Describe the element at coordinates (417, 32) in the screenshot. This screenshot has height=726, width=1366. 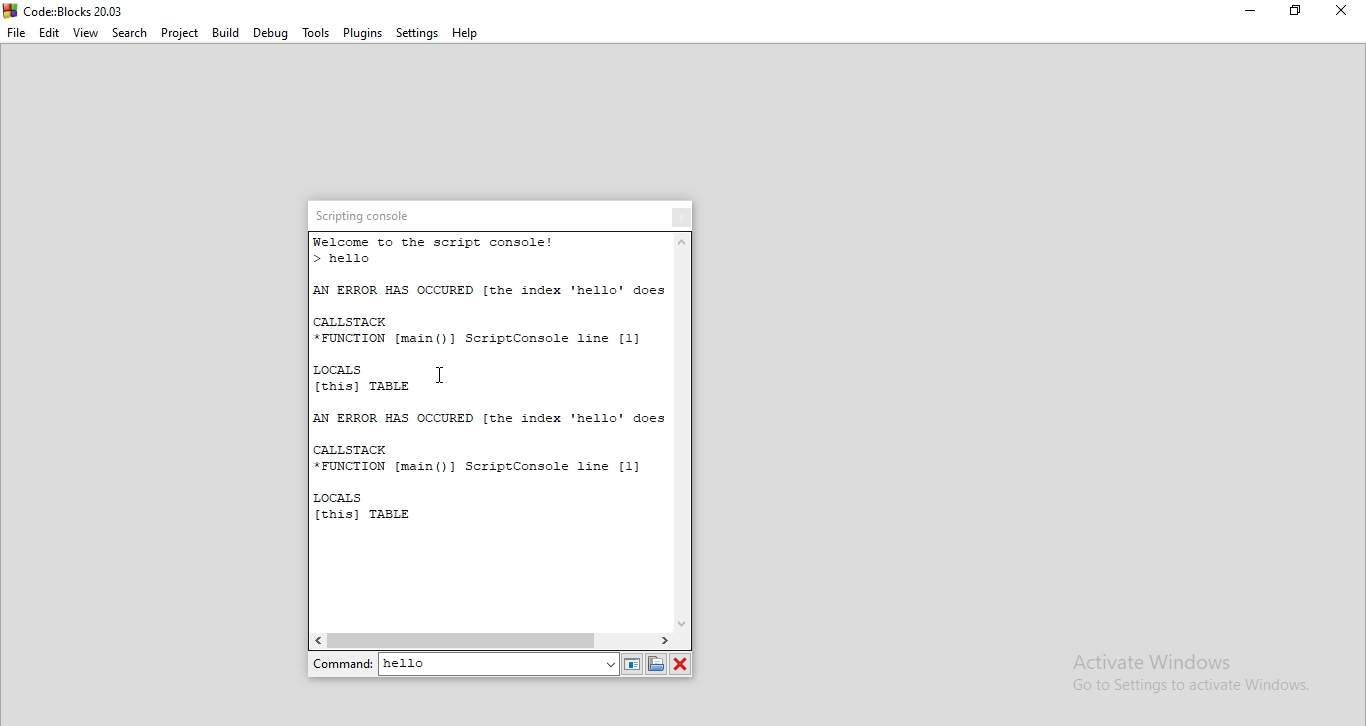
I see `Settings ` at that location.